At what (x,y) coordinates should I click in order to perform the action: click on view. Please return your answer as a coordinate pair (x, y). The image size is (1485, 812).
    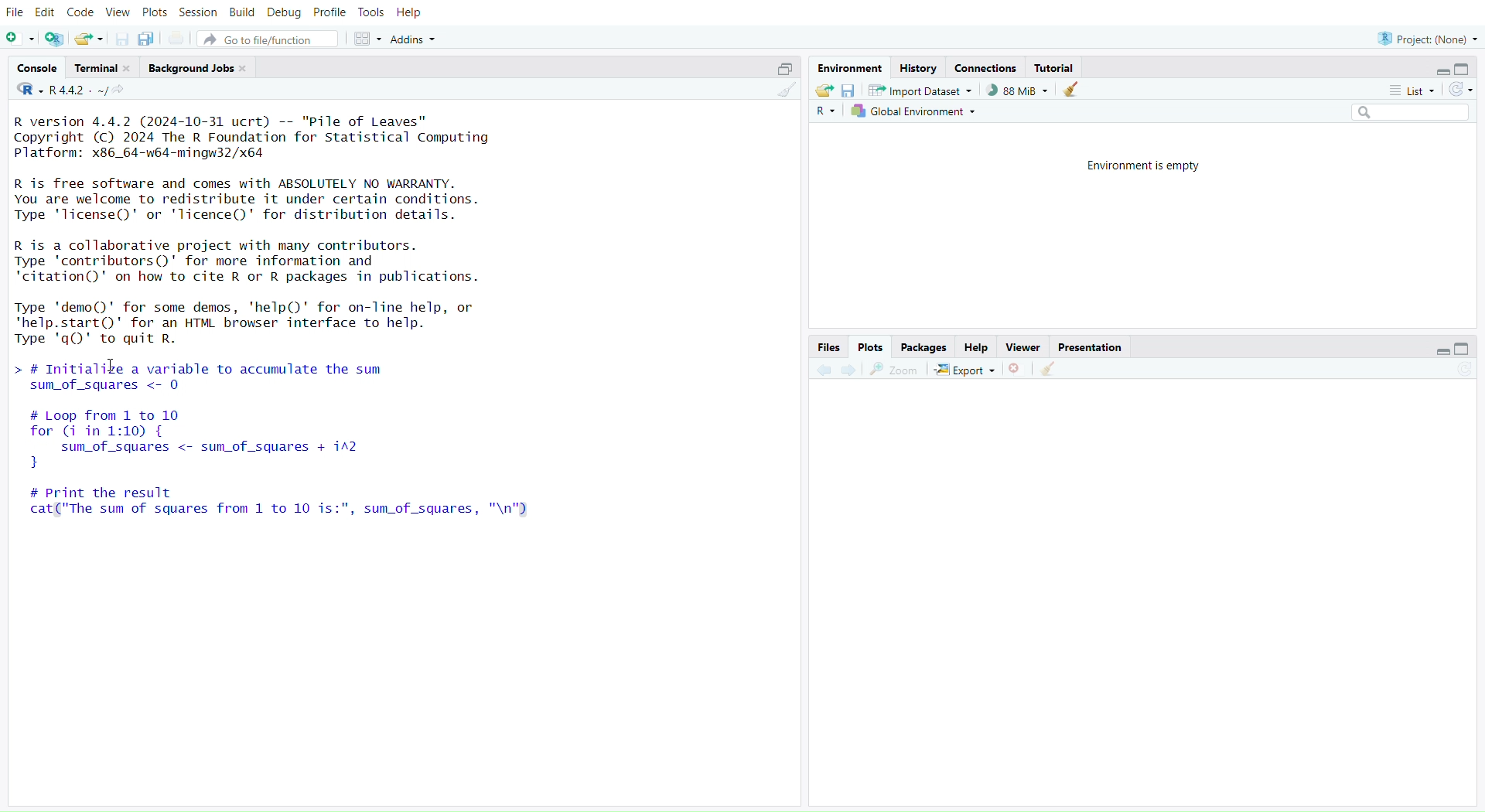
    Looking at the image, I should click on (117, 12).